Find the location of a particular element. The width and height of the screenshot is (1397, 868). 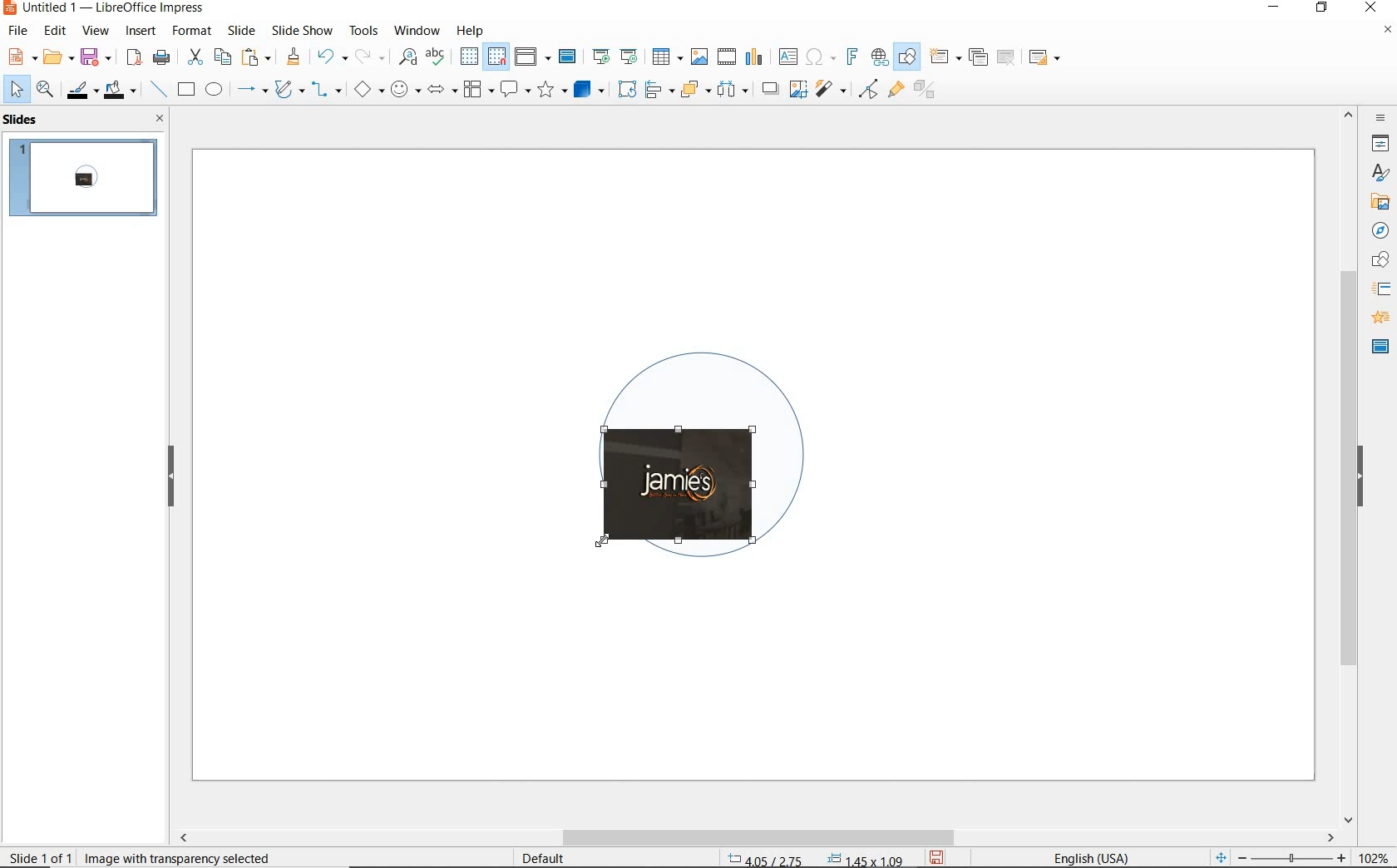

arrange is located at coordinates (692, 88).